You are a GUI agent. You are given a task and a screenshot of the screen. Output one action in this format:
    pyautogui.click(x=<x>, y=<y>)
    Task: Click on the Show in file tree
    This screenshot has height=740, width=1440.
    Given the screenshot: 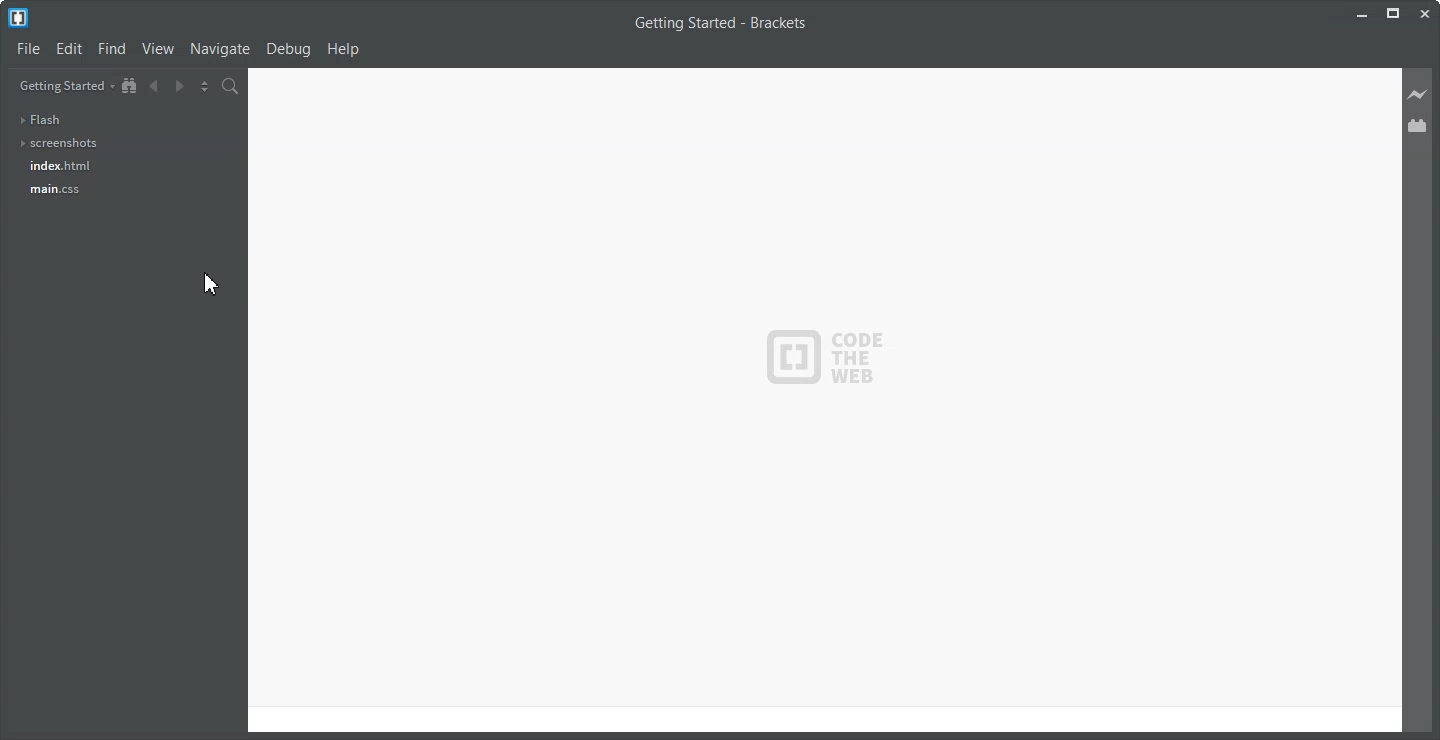 What is the action you would take?
    pyautogui.click(x=130, y=86)
    